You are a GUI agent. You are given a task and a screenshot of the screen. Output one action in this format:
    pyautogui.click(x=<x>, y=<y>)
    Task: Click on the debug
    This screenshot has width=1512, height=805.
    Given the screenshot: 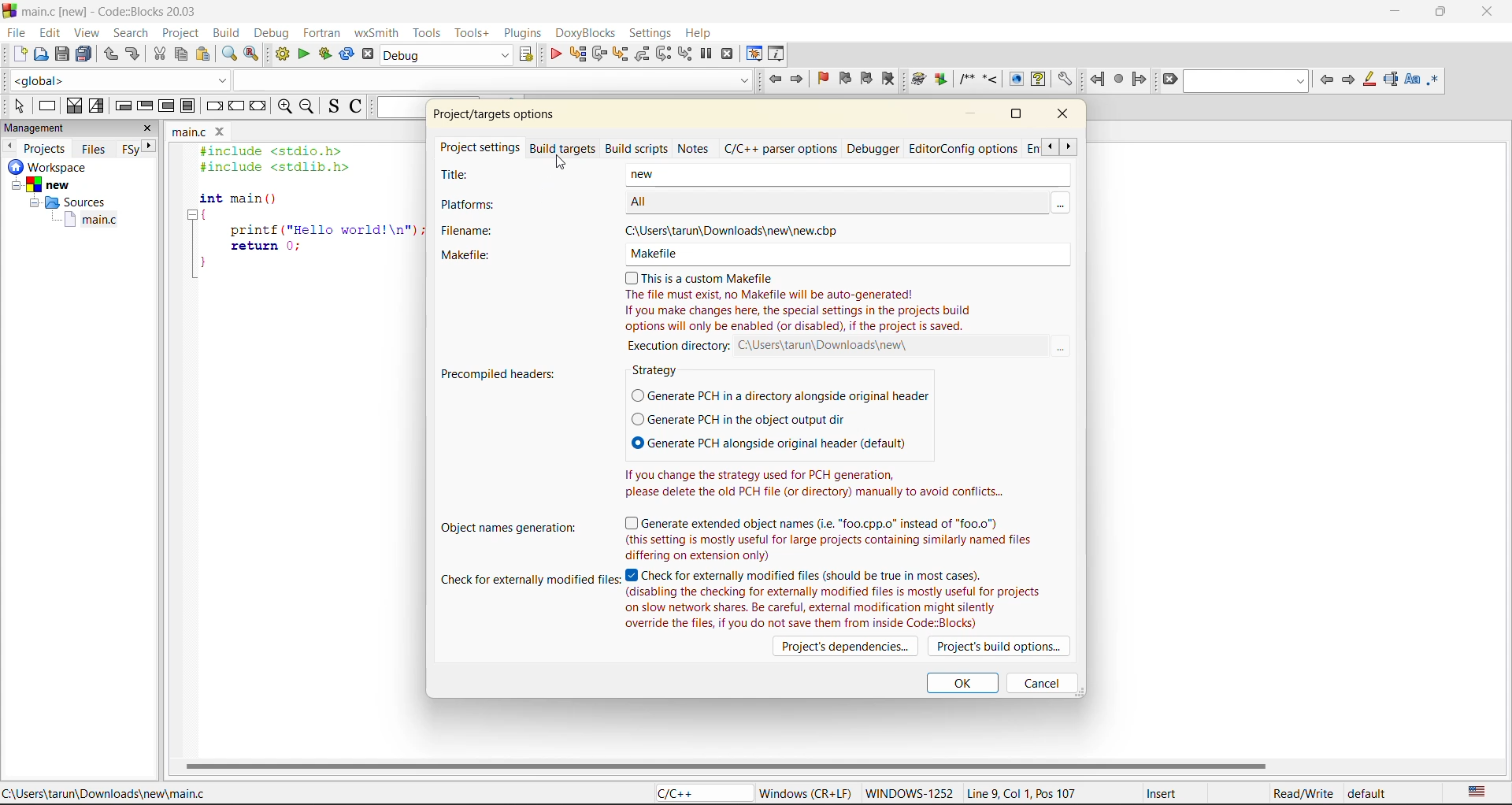 What is the action you would take?
    pyautogui.click(x=273, y=32)
    